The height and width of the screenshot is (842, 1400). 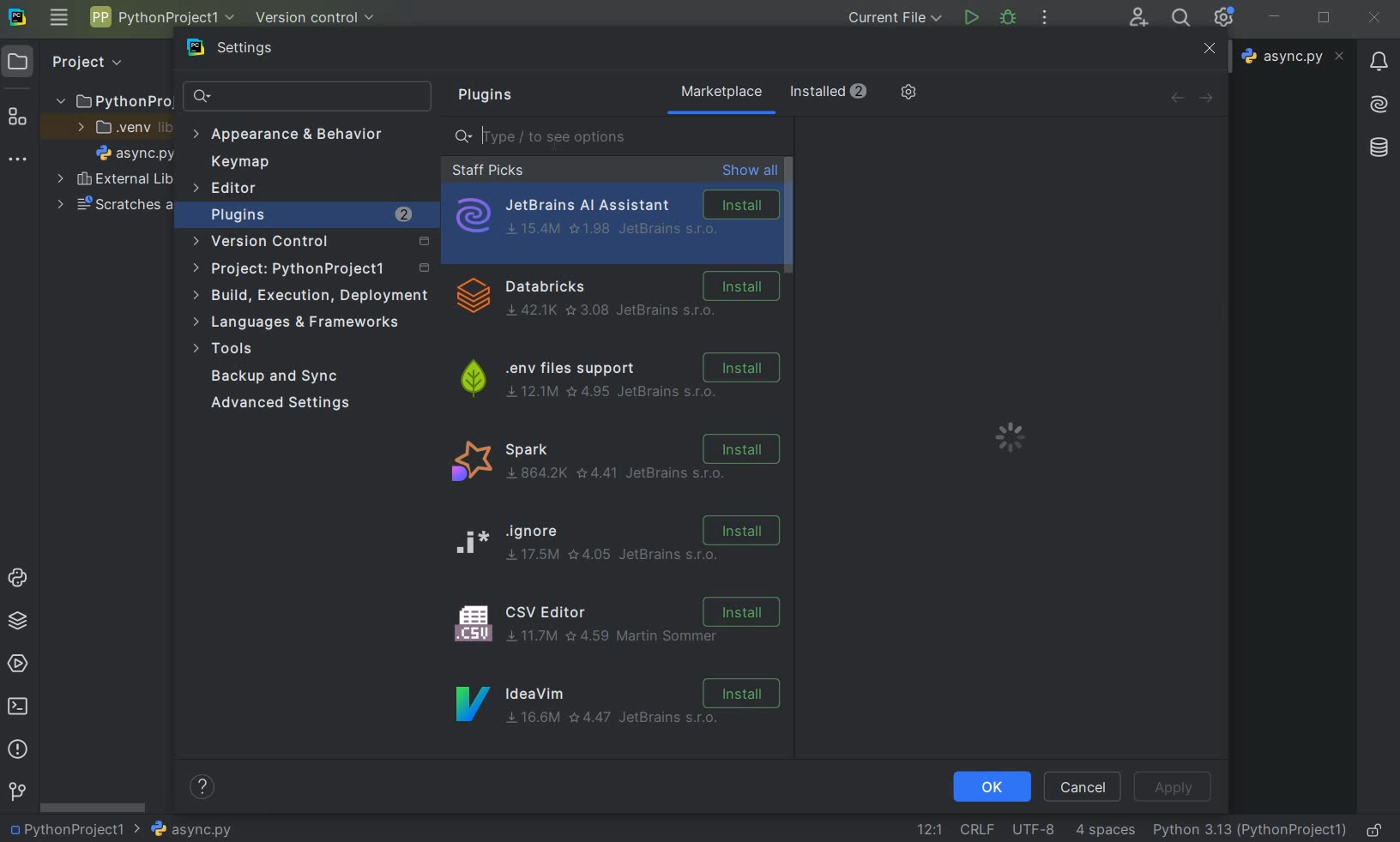 I want to click on plugins, so click(x=312, y=215).